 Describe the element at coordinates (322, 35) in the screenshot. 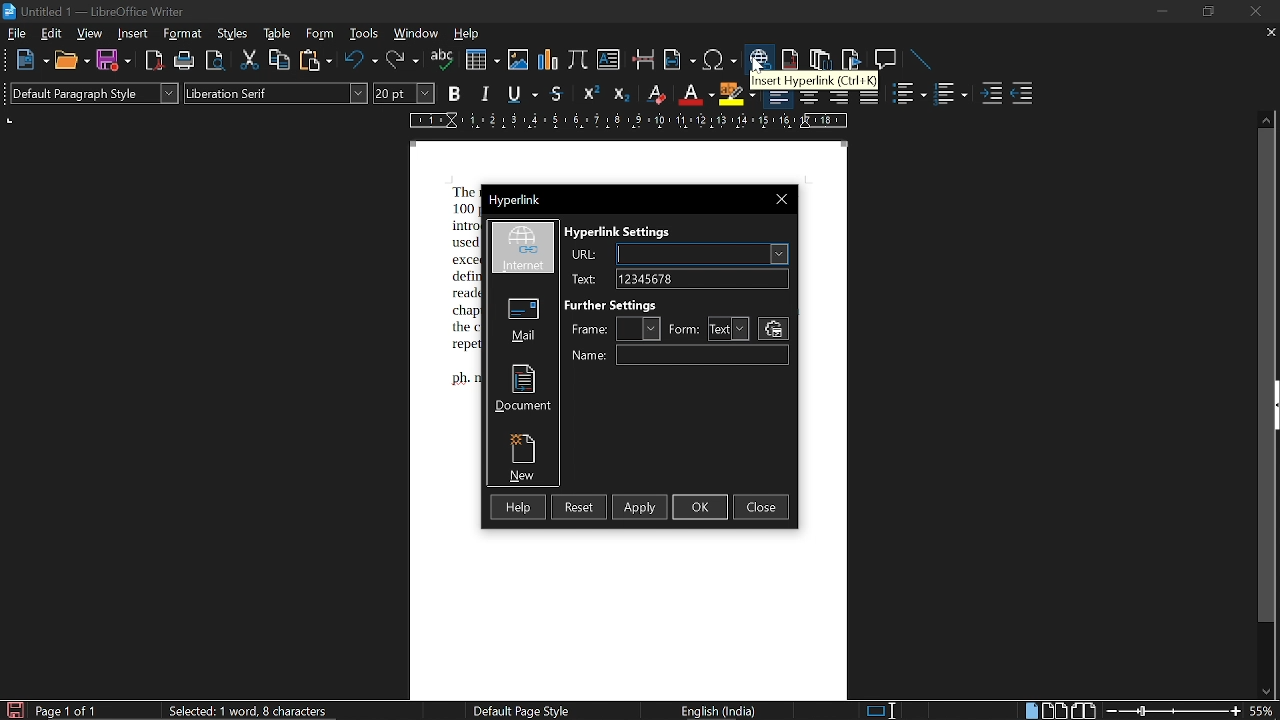

I see `form` at that location.